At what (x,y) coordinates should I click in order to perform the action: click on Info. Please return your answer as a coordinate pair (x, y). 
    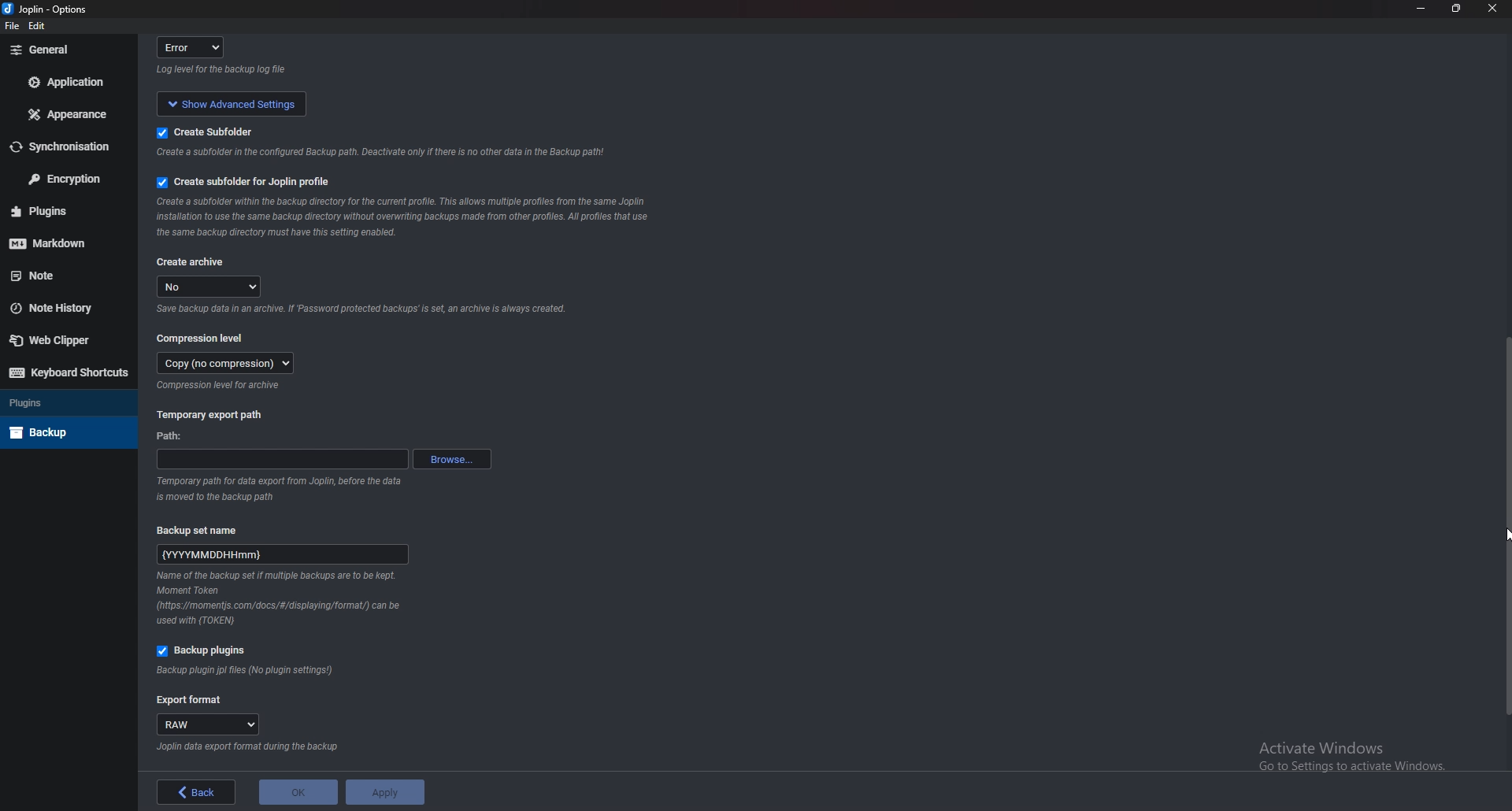
    Looking at the image, I should click on (222, 386).